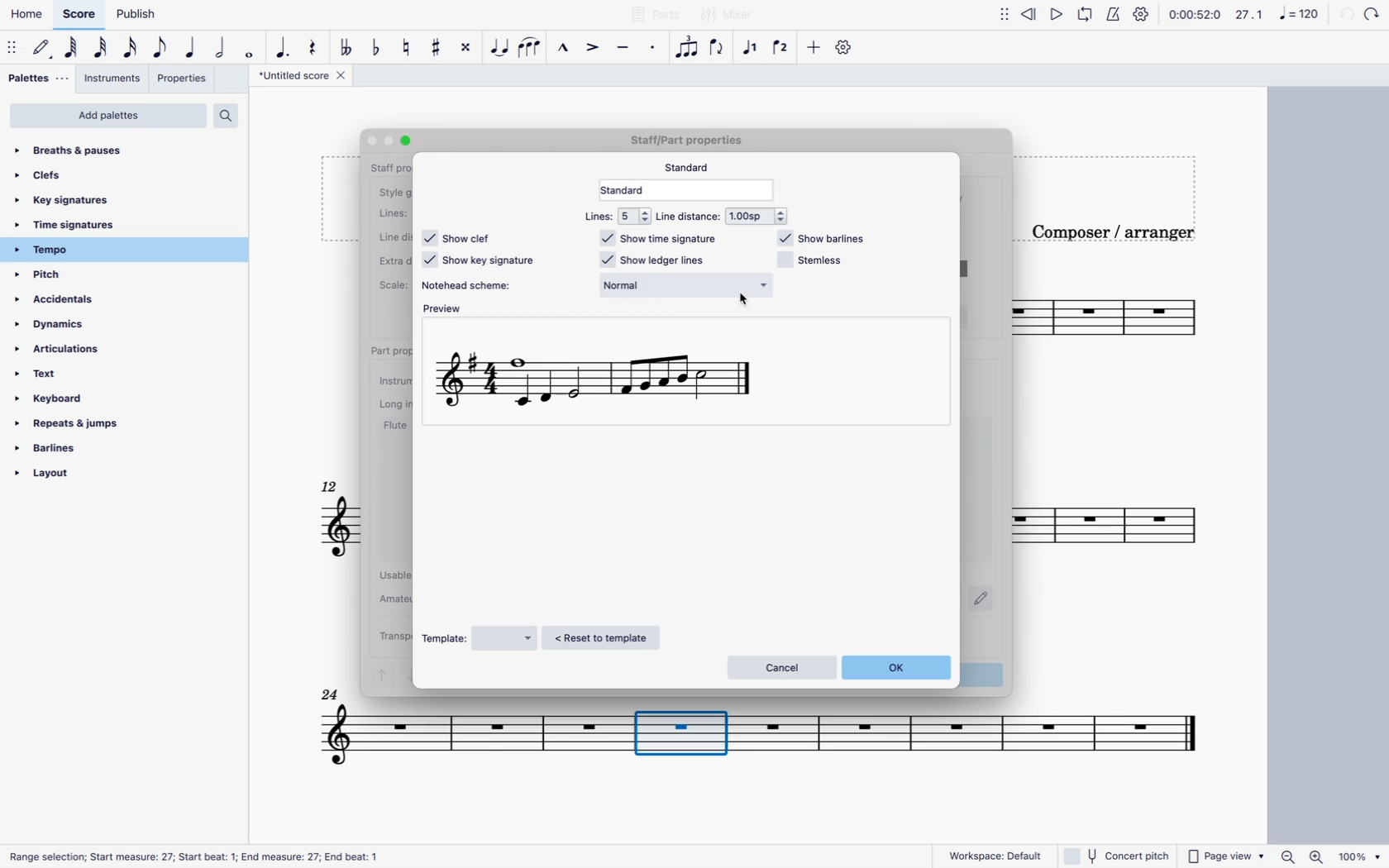 This screenshot has height=868, width=1389. I want to click on default, so click(43, 46).